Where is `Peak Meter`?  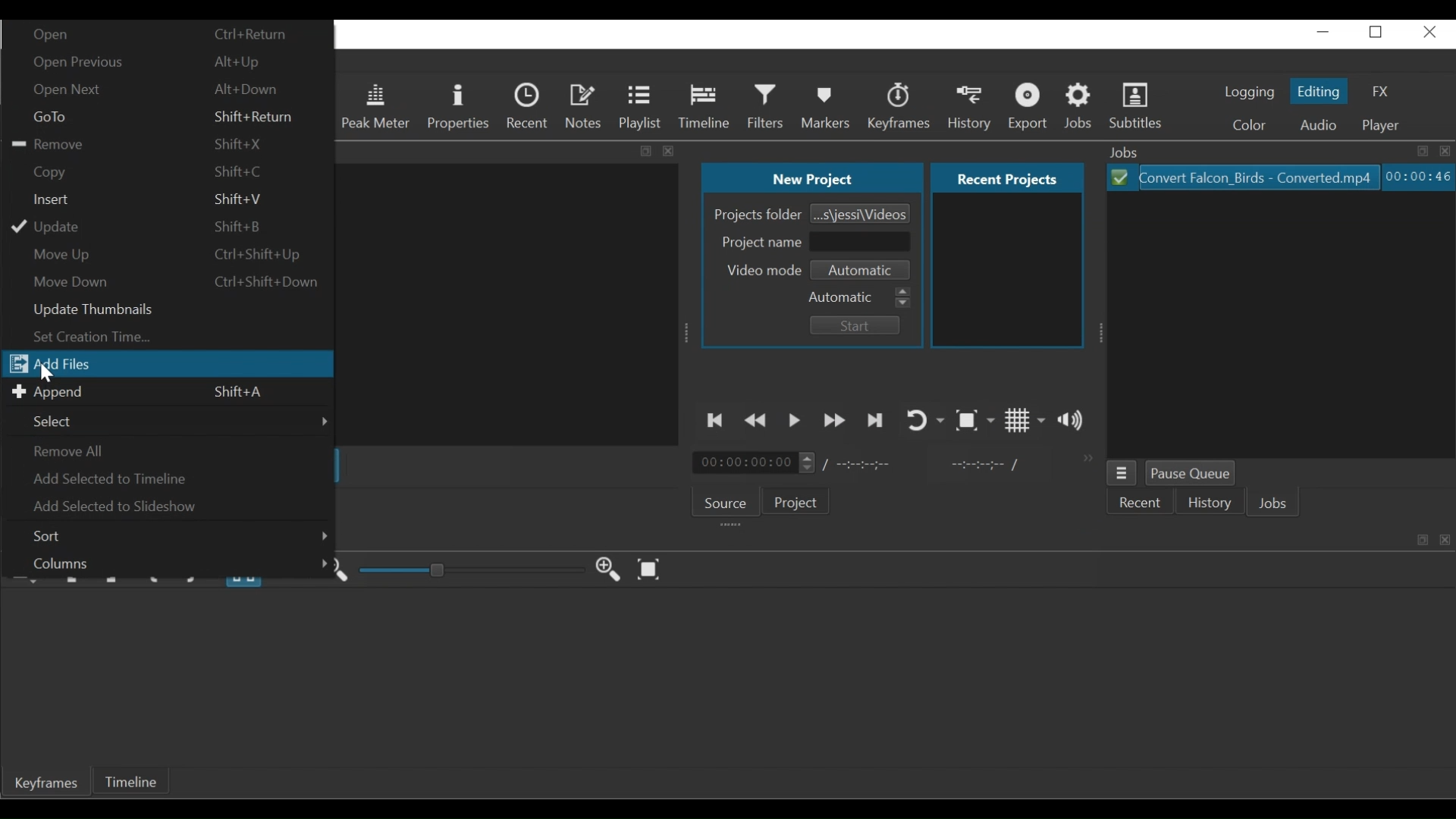
Peak Meter is located at coordinates (376, 105).